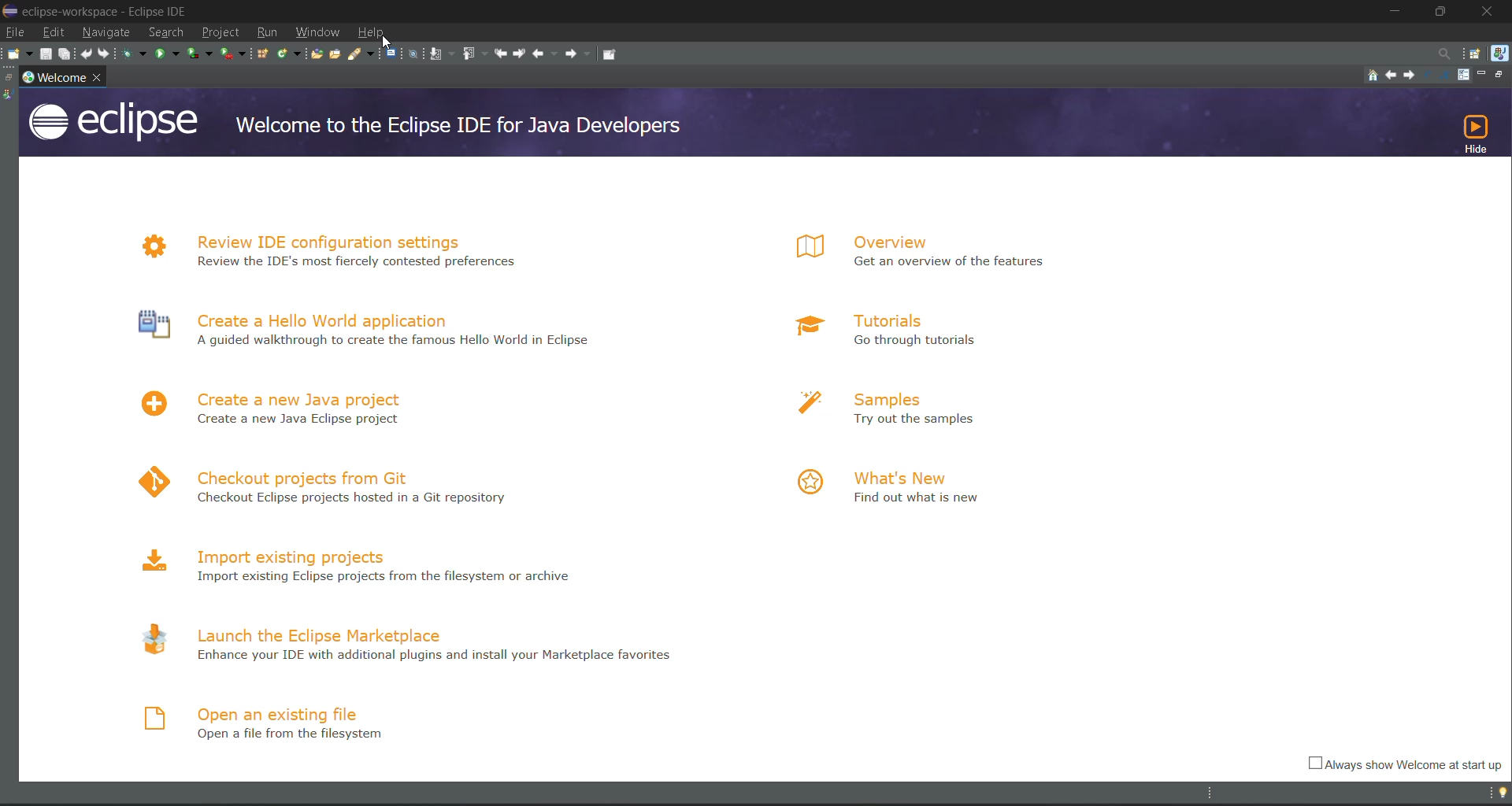 This screenshot has height=806, width=1512. What do you see at coordinates (432, 659) in the screenshot?
I see `Enhance your IDE with additional plugins and install your Marketplace favourites` at bounding box center [432, 659].